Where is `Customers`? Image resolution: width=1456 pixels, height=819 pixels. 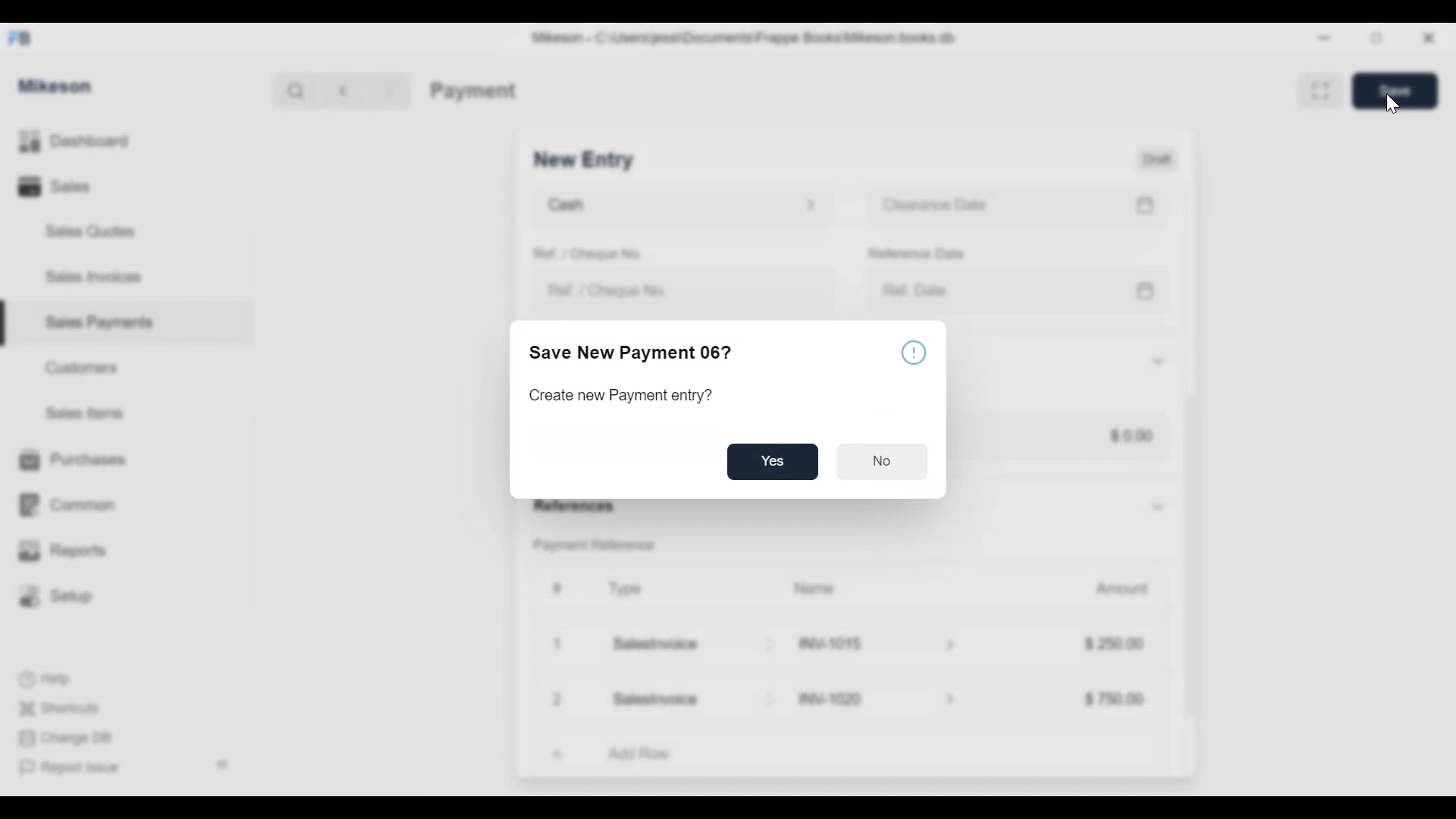 Customers is located at coordinates (86, 366).